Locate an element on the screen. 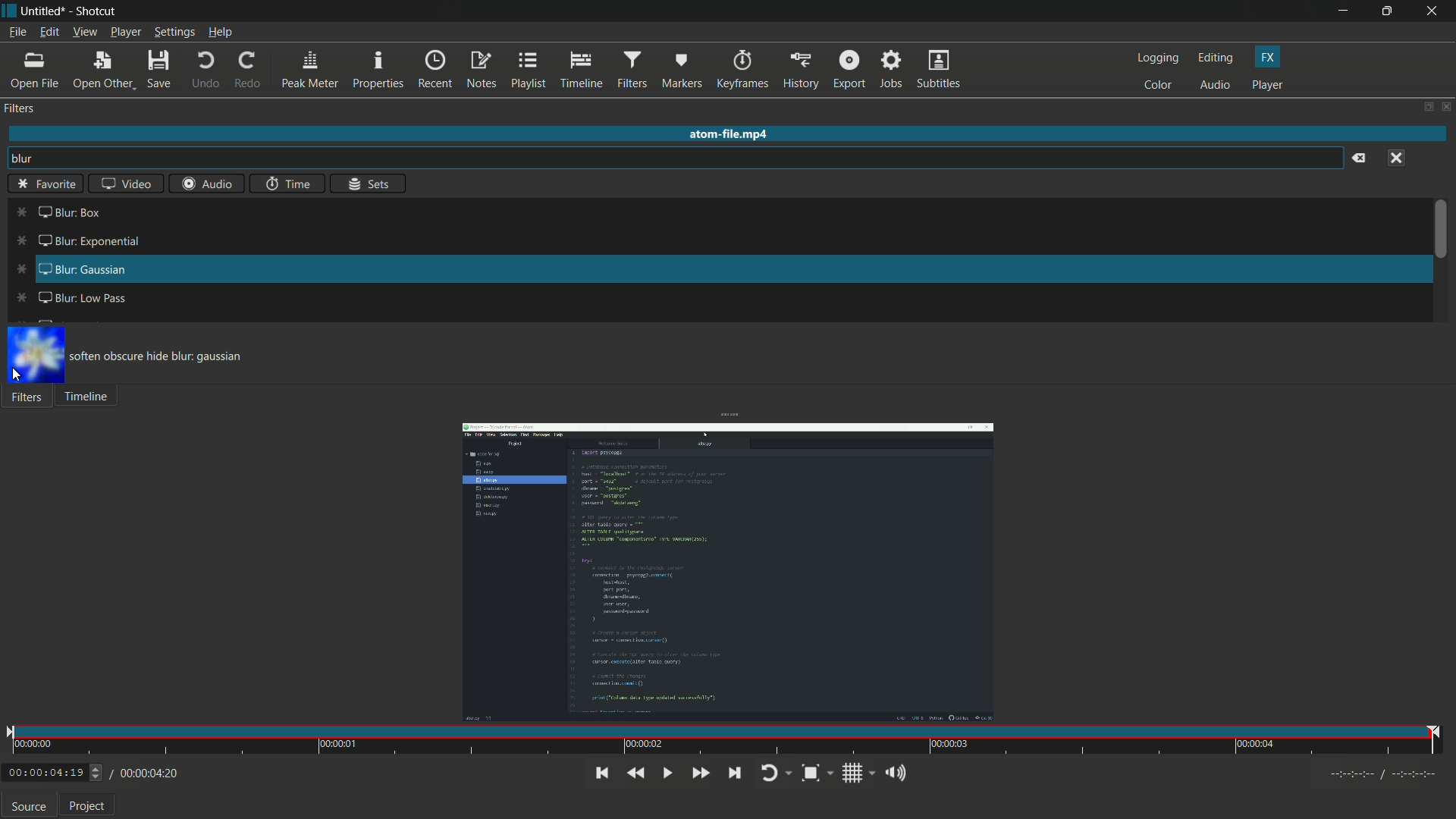 Image resolution: width=1456 pixels, height=819 pixels. settings menu is located at coordinates (175, 33).